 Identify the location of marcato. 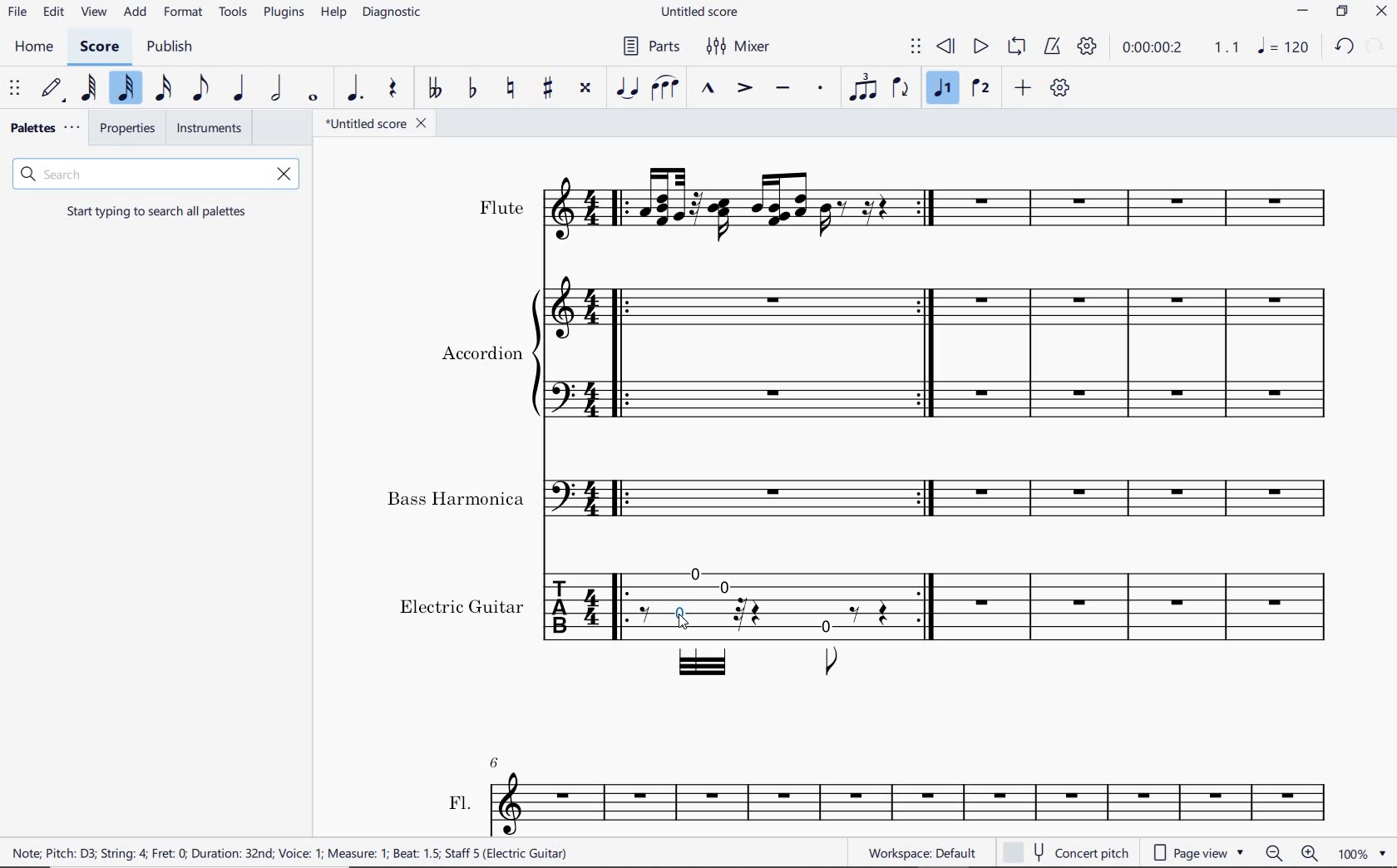
(710, 90).